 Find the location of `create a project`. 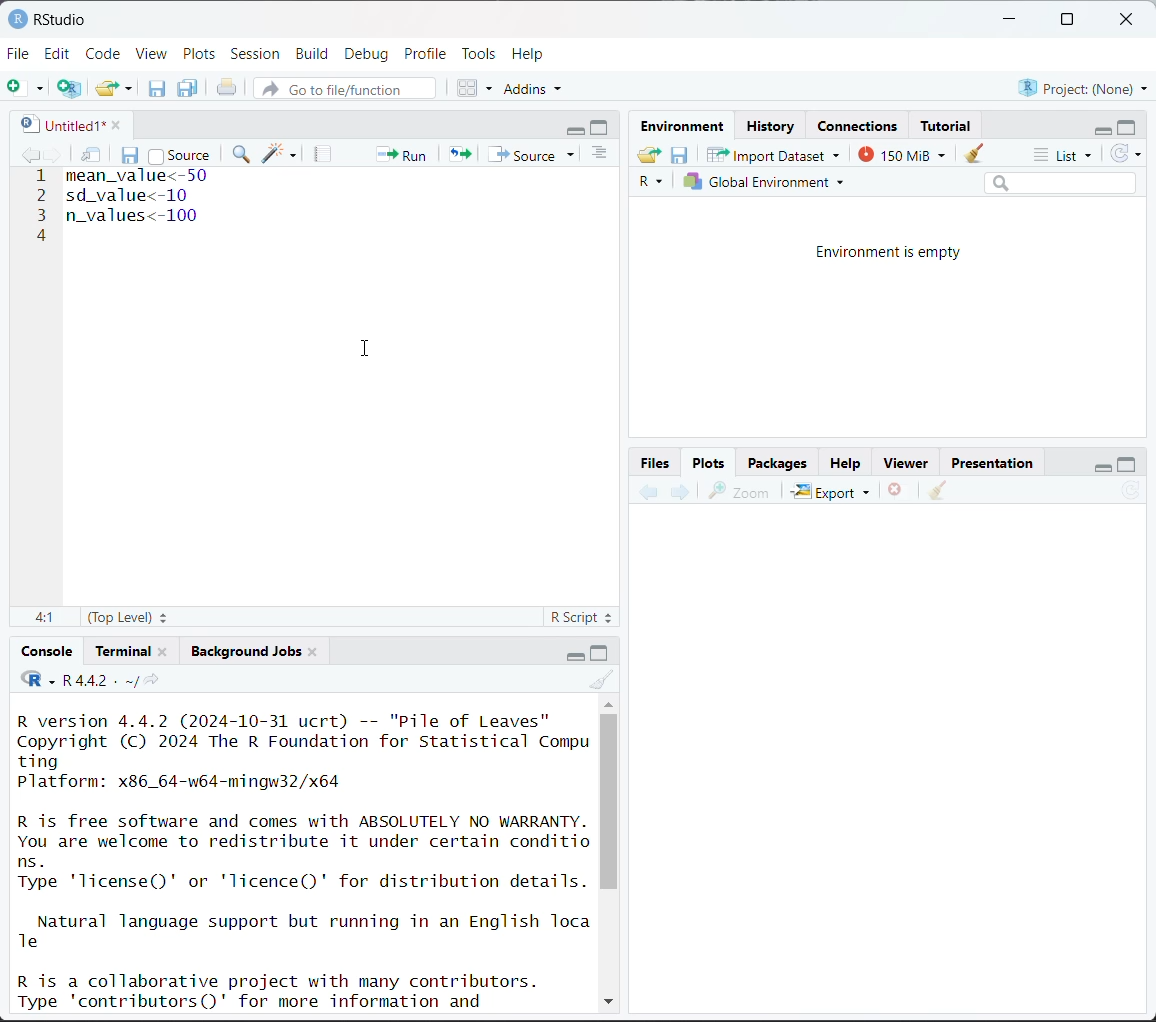

create a project is located at coordinates (69, 88).